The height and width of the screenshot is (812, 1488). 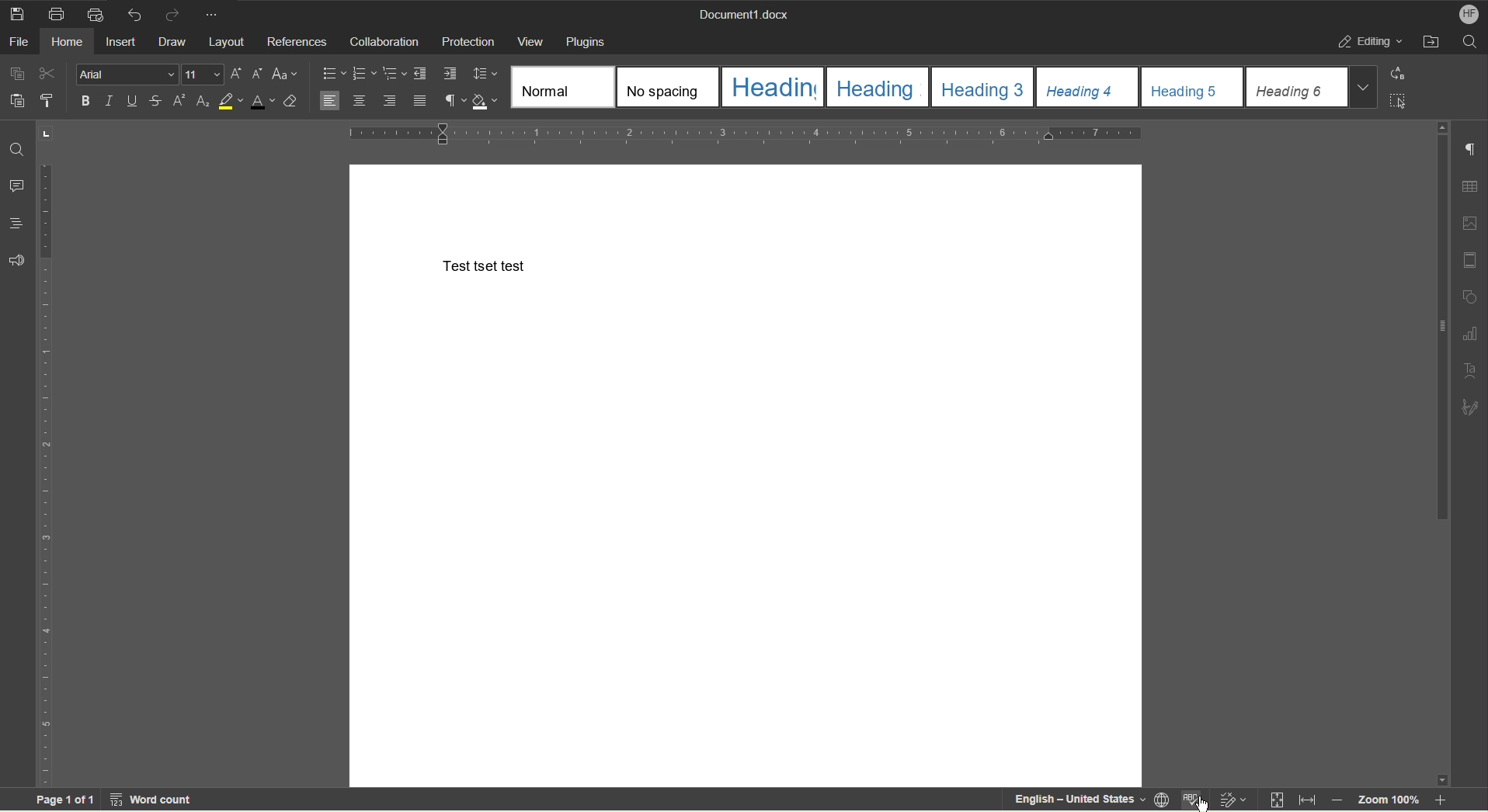 I want to click on Non-Printing Characters, so click(x=1471, y=151).